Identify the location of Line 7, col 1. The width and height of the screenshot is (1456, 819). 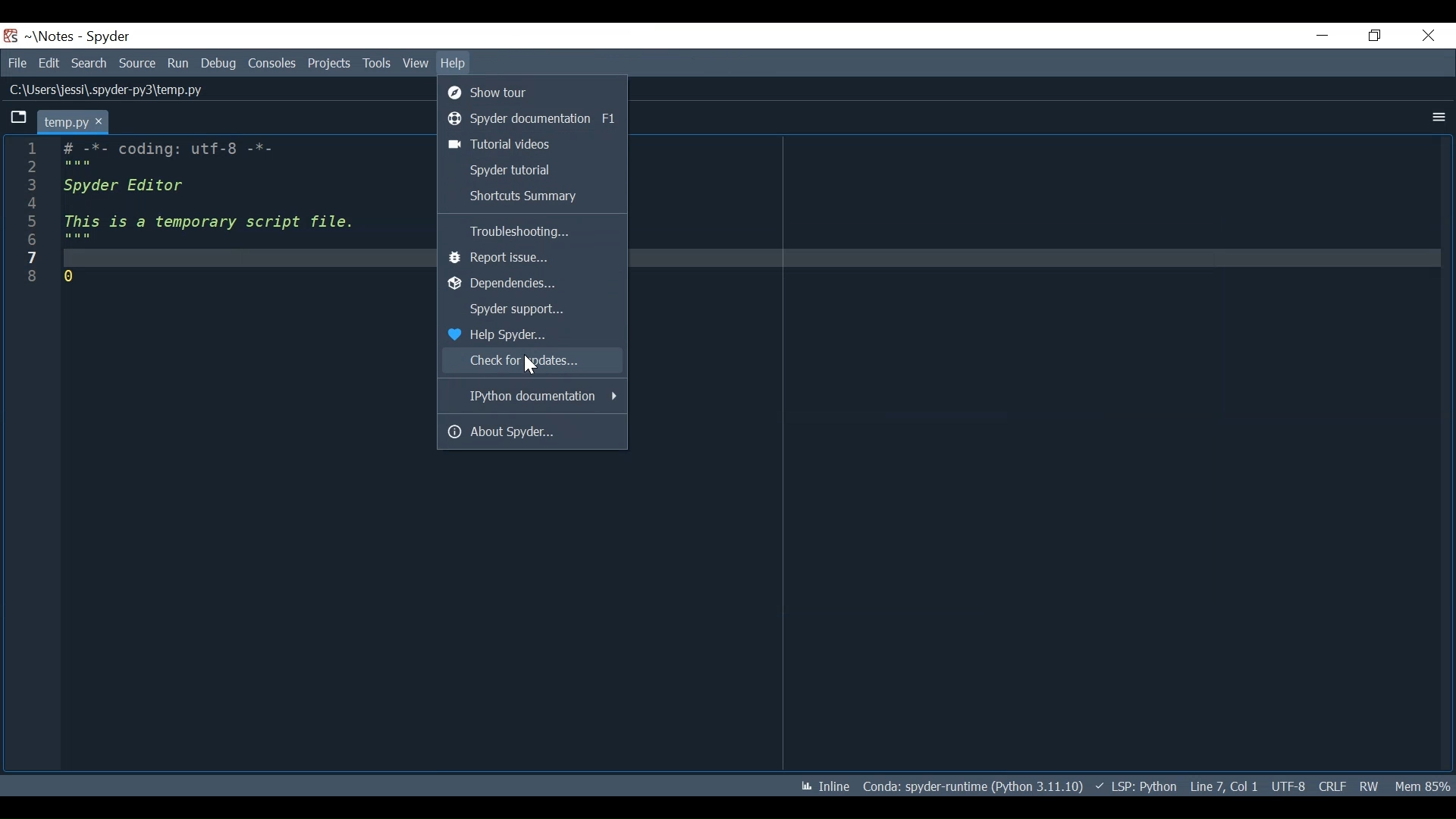
(1225, 786).